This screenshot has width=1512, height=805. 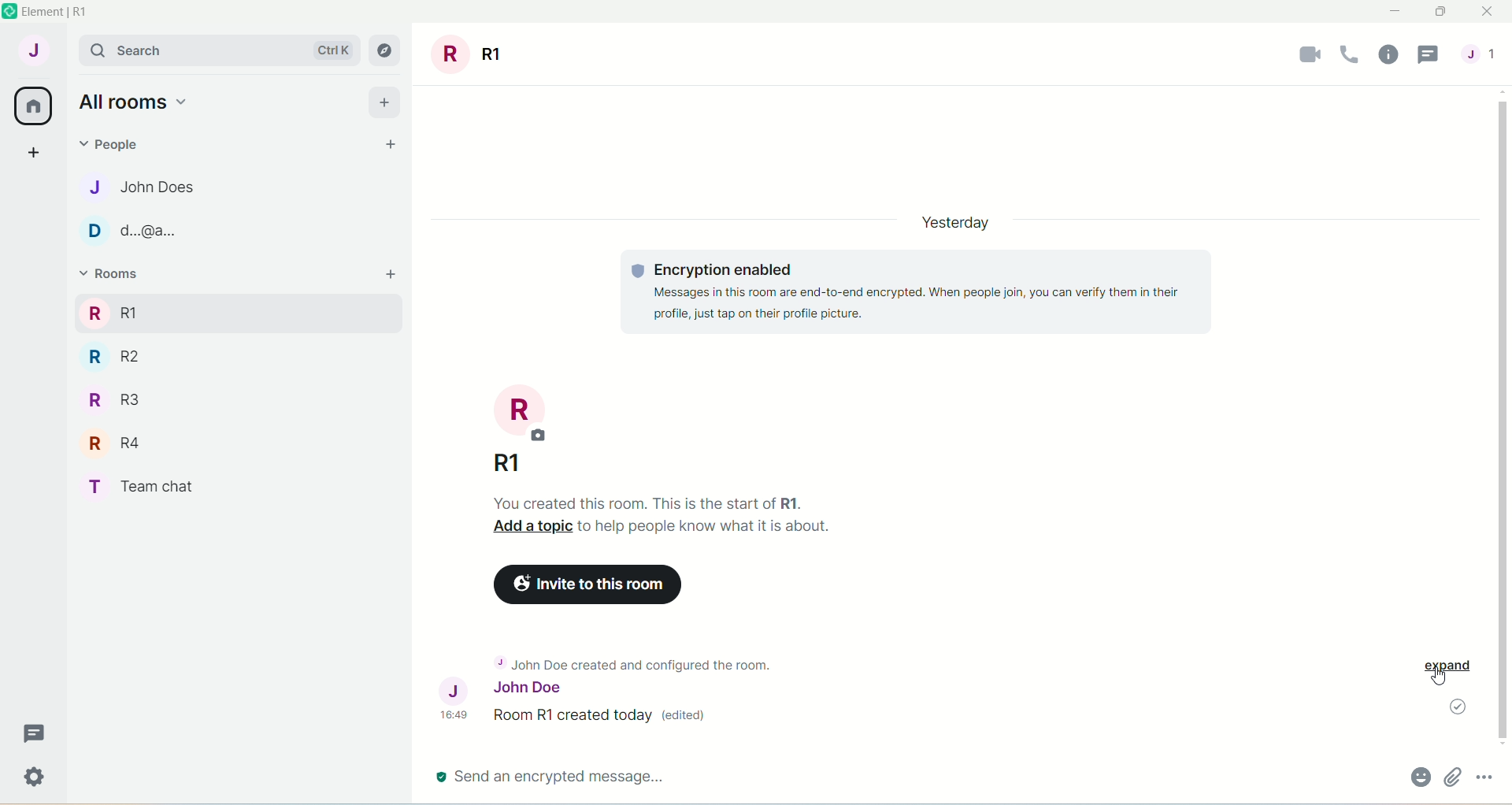 What do you see at coordinates (31, 108) in the screenshot?
I see `all rooms` at bounding box center [31, 108].